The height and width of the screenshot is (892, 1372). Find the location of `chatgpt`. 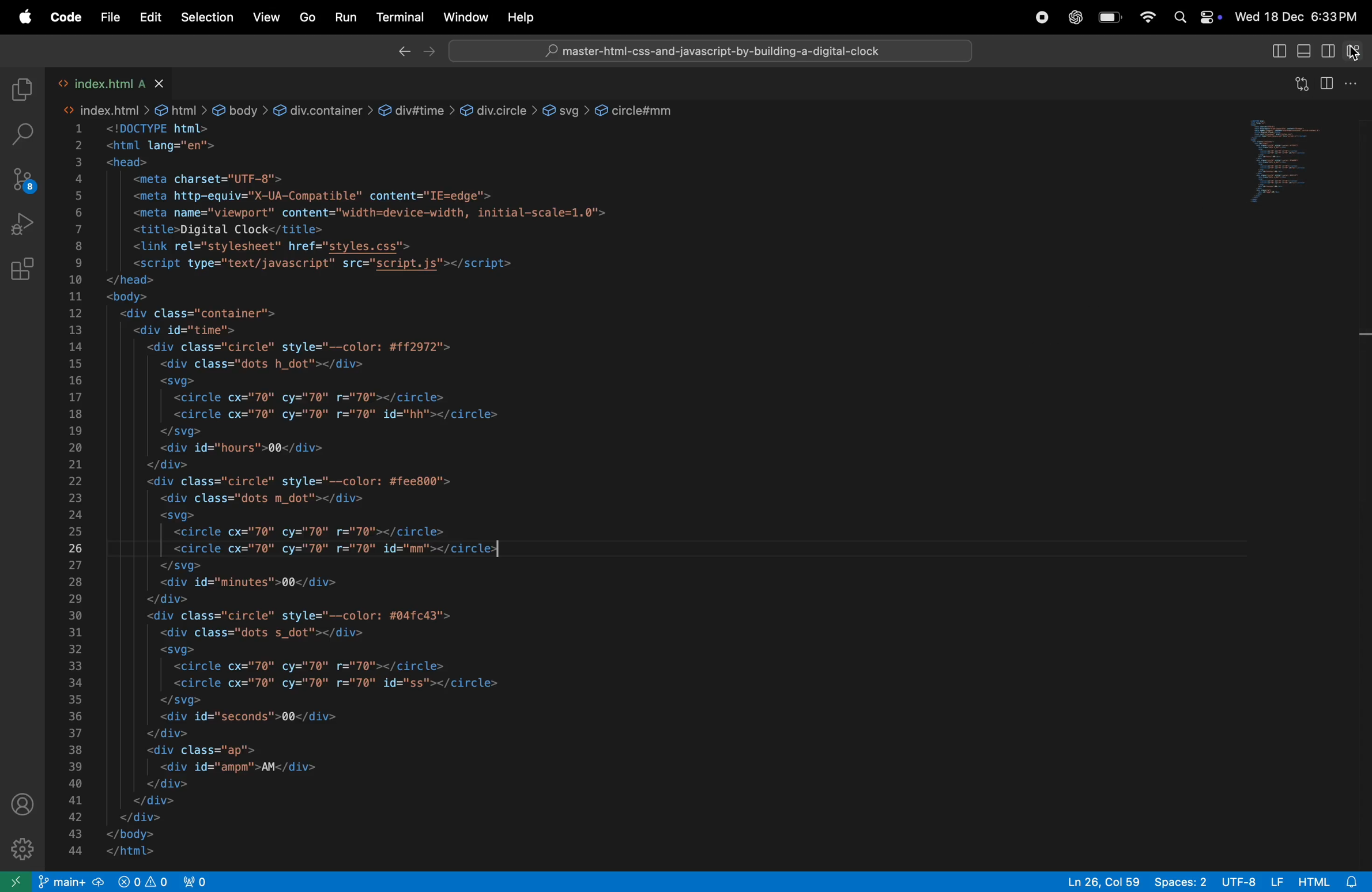

chatgpt is located at coordinates (1073, 18).